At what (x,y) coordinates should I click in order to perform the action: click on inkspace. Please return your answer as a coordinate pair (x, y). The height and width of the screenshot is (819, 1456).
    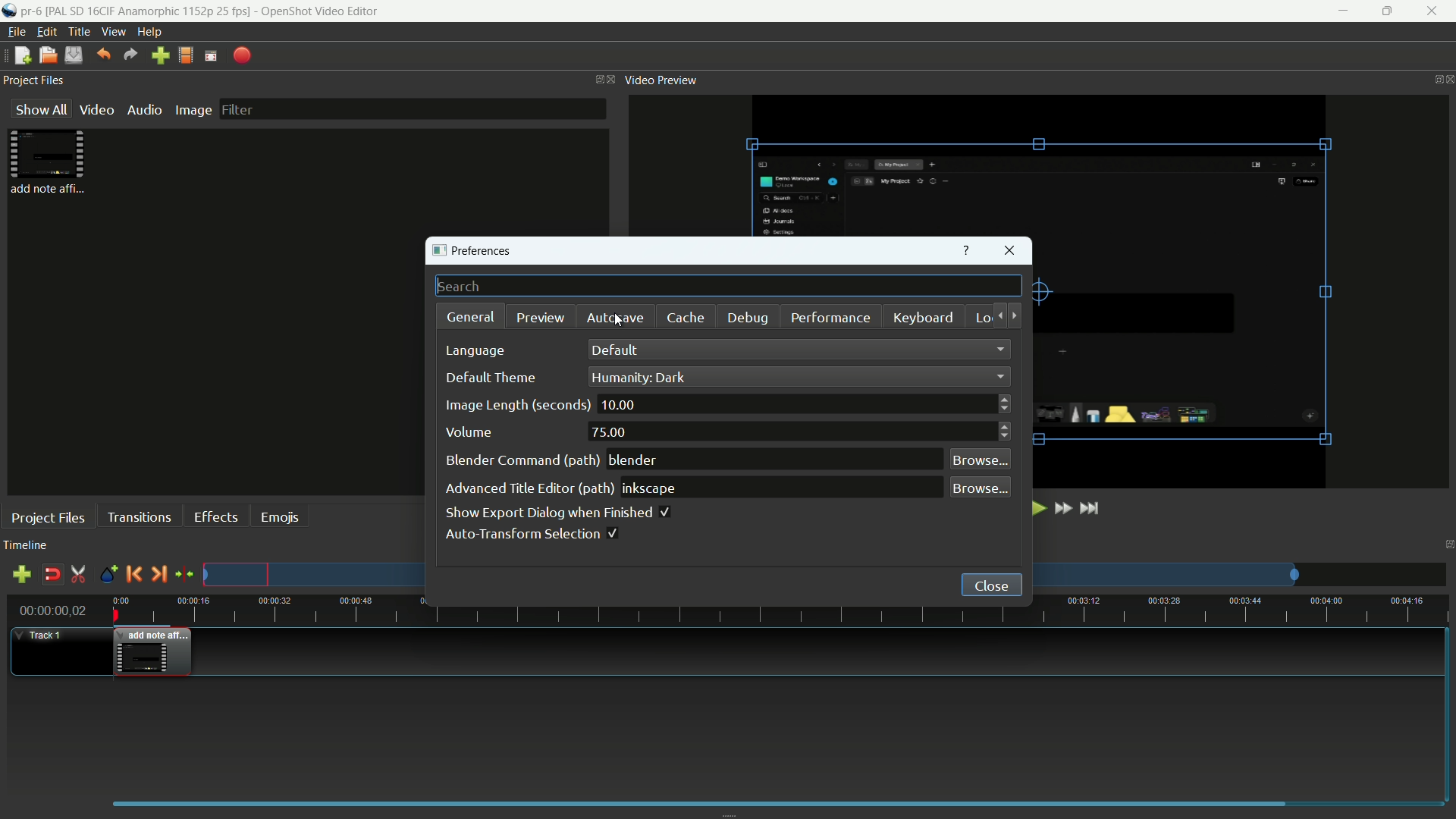
    Looking at the image, I should click on (652, 488).